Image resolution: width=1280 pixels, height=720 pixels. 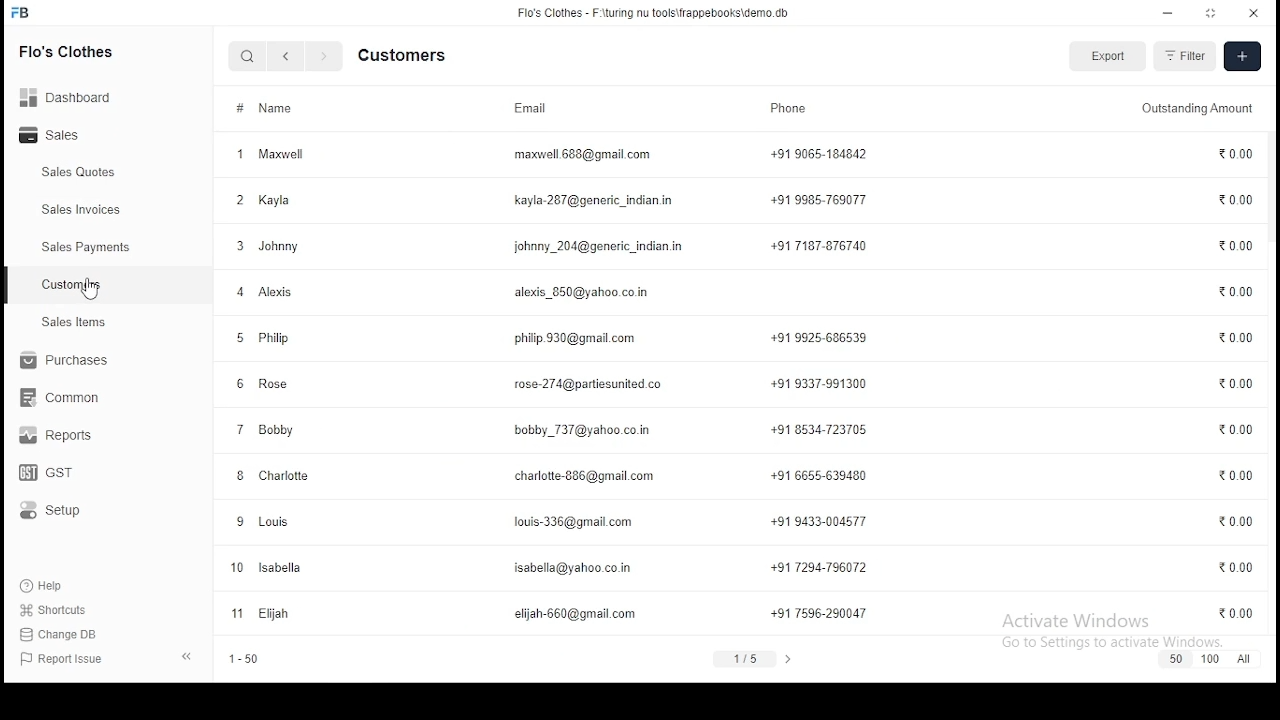 I want to click on +91 9433-004577, so click(x=823, y=523).